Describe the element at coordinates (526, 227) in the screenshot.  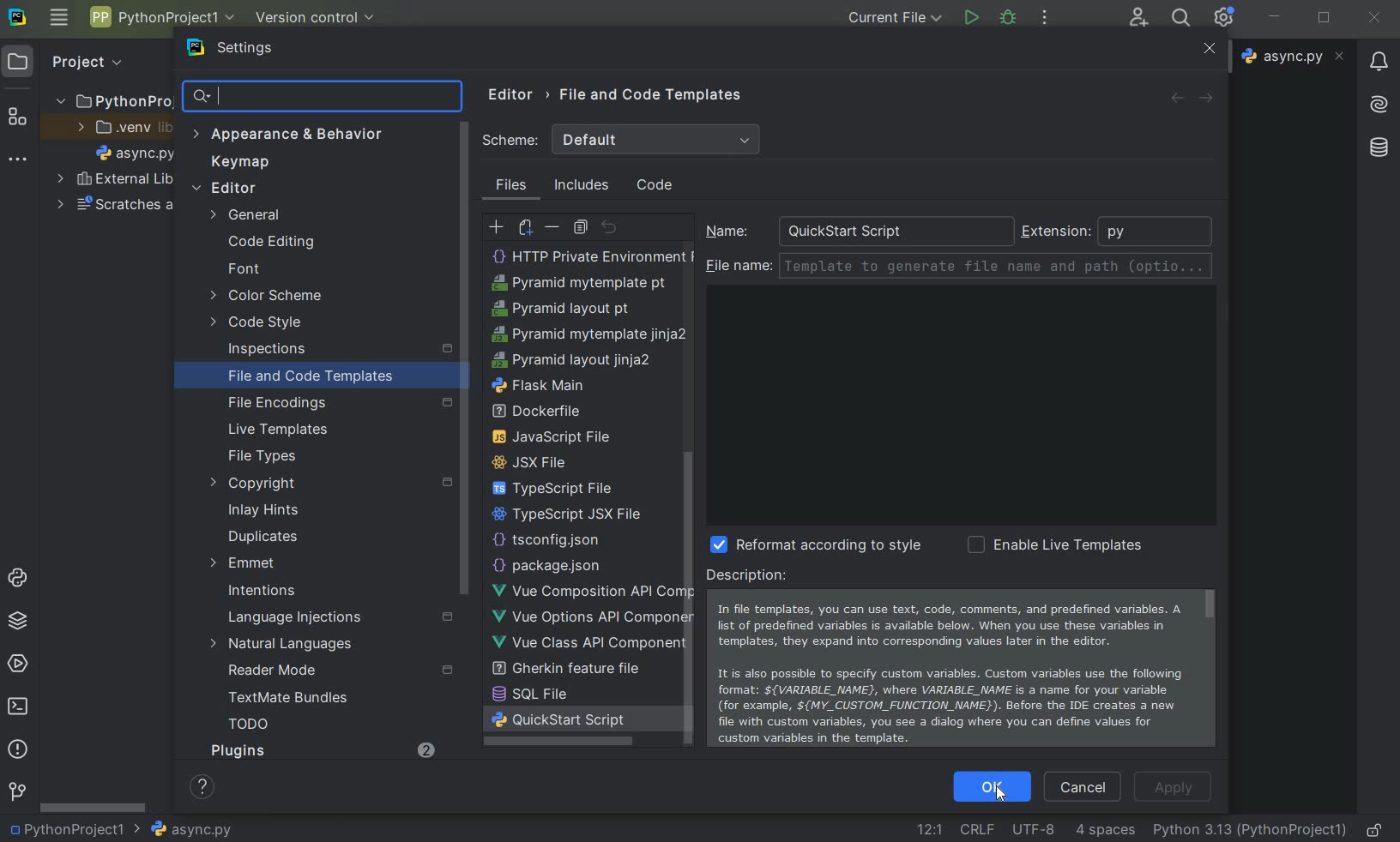
I see `create child template file` at that location.